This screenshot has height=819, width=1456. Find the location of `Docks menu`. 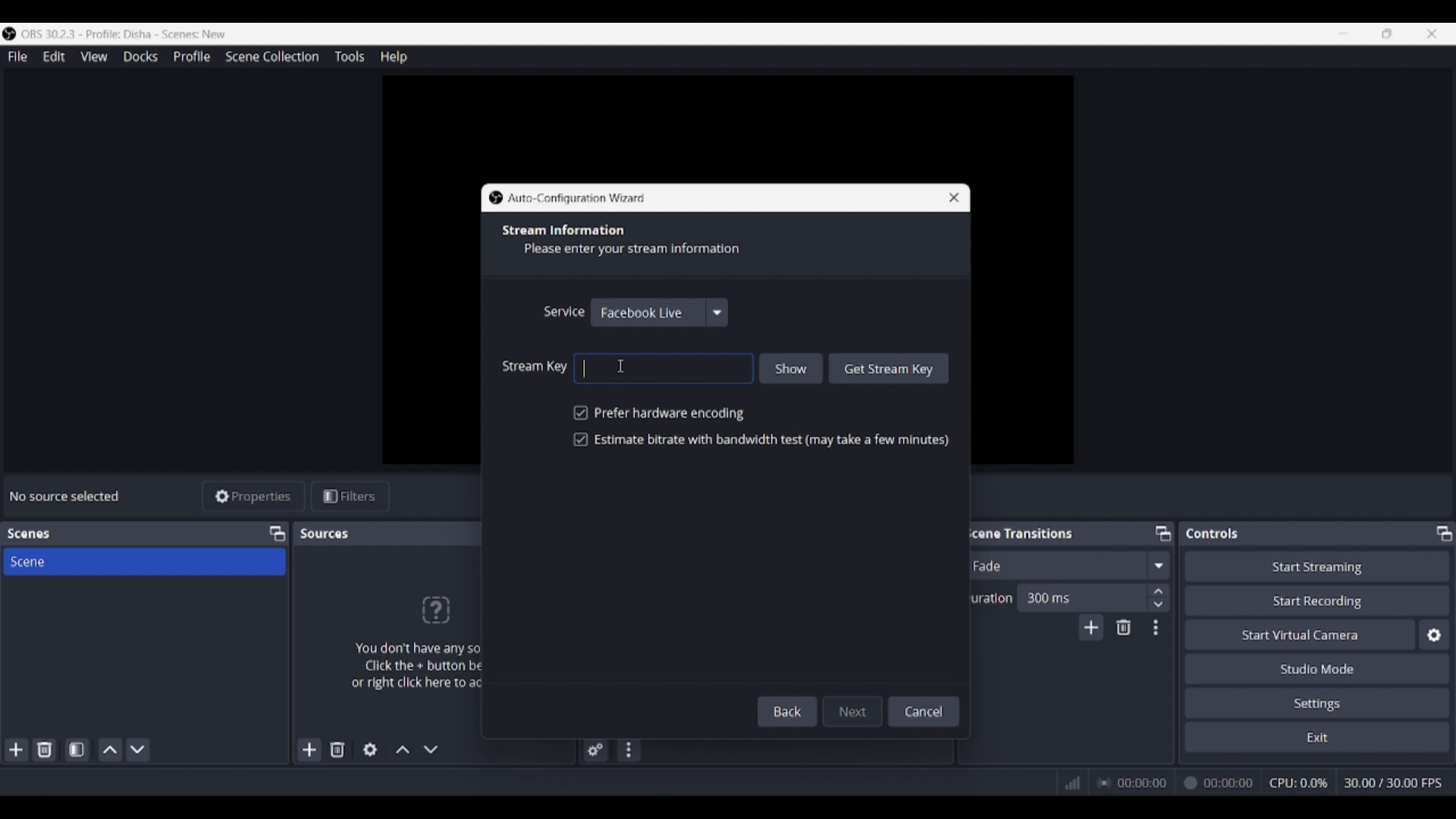

Docks menu is located at coordinates (140, 57).